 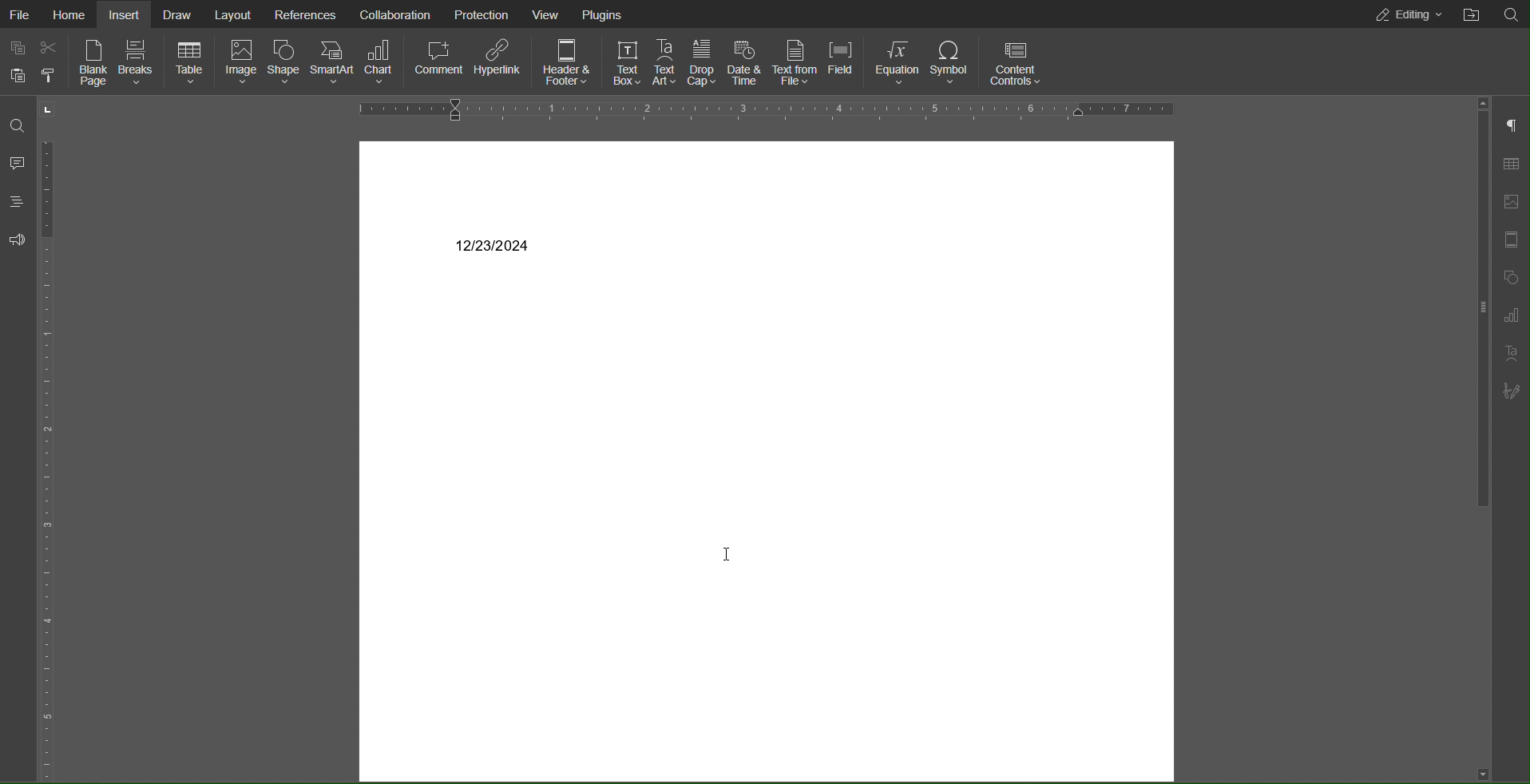 What do you see at coordinates (18, 127) in the screenshot?
I see `Search` at bounding box center [18, 127].